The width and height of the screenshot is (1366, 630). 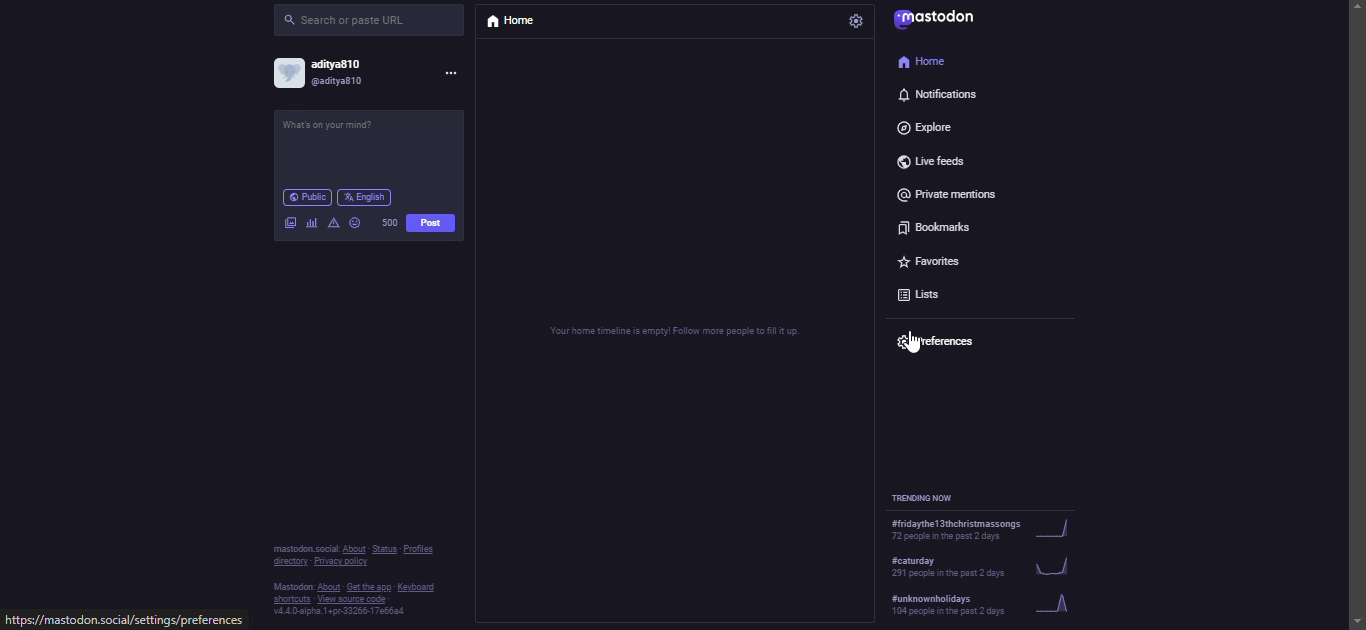 I want to click on emoji, so click(x=355, y=220).